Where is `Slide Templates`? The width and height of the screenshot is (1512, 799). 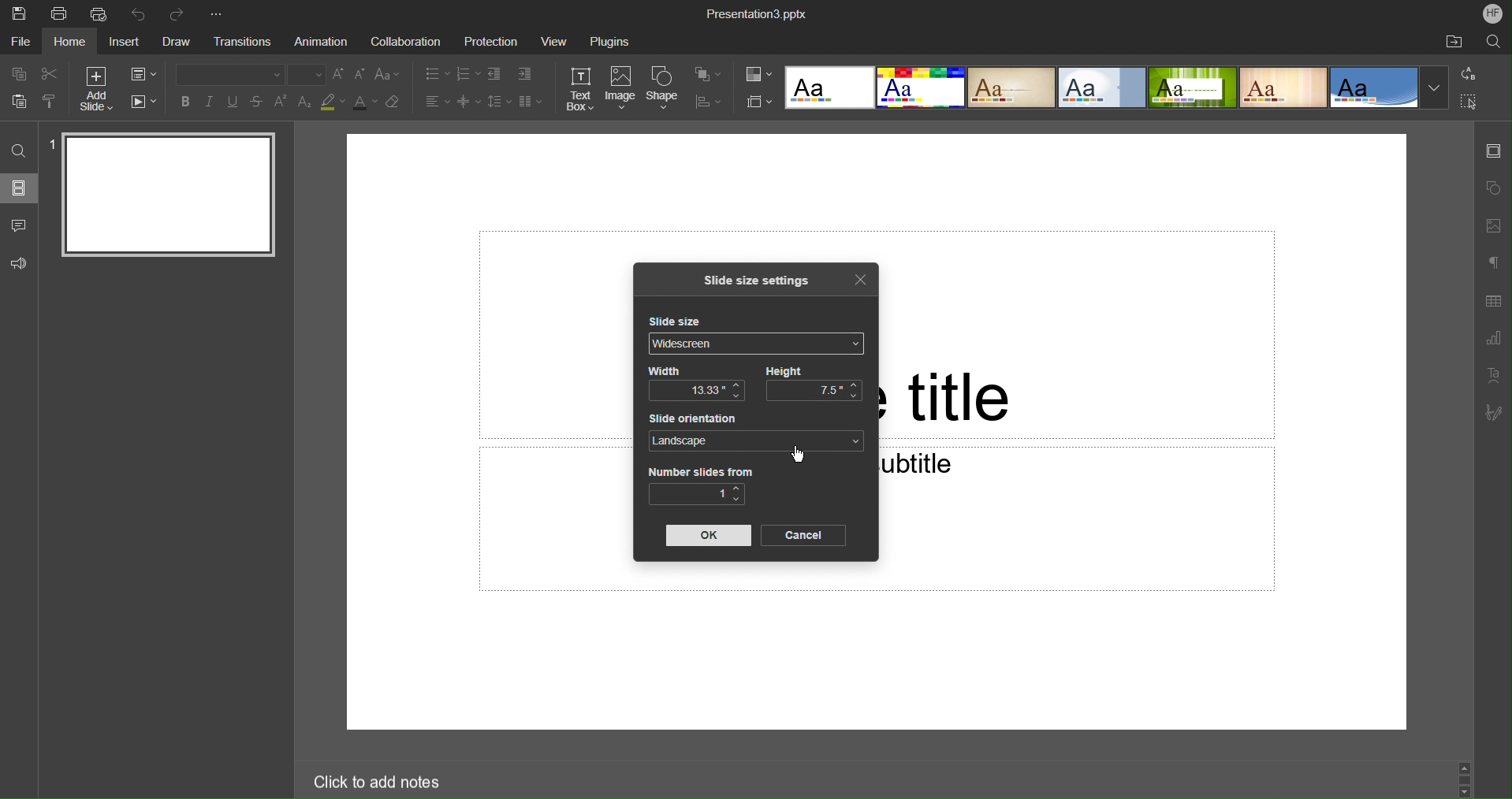
Slide Templates is located at coordinates (1115, 88).